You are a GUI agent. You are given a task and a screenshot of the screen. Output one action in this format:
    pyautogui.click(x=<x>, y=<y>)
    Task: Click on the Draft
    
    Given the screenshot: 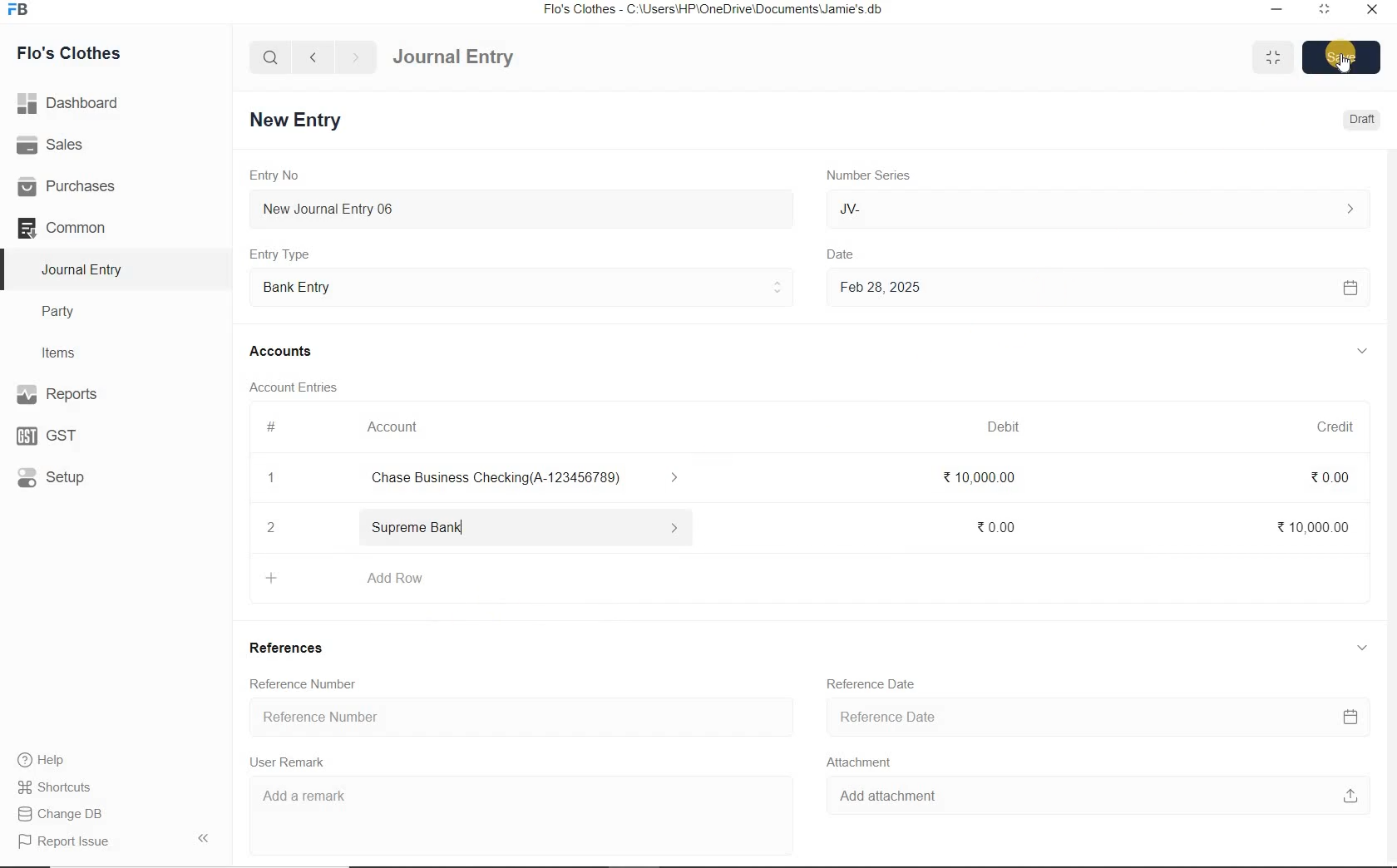 What is the action you would take?
    pyautogui.click(x=1359, y=120)
    